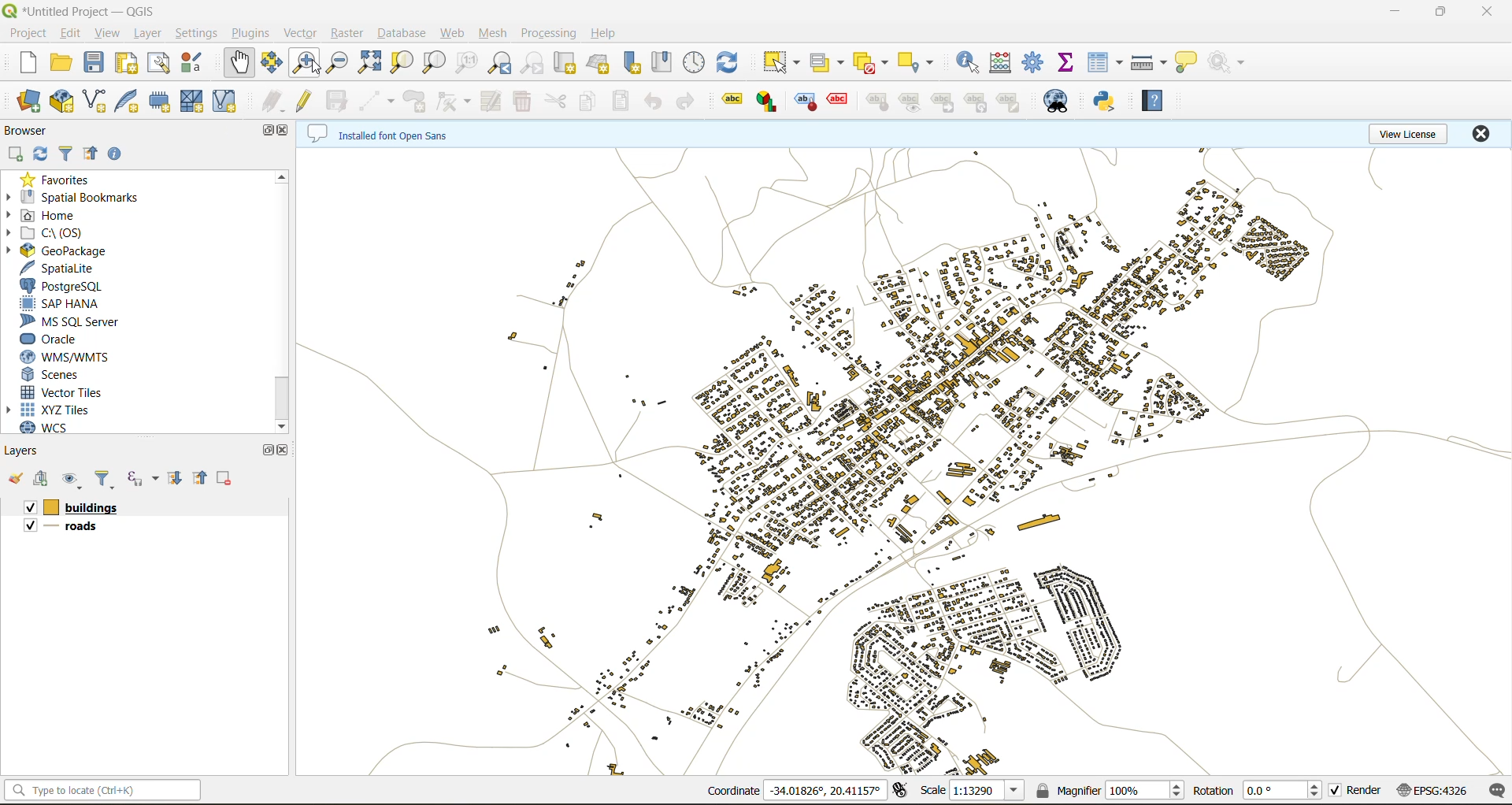 The image size is (1512, 805). What do you see at coordinates (65, 100) in the screenshot?
I see `new geopackage layer` at bounding box center [65, 100].